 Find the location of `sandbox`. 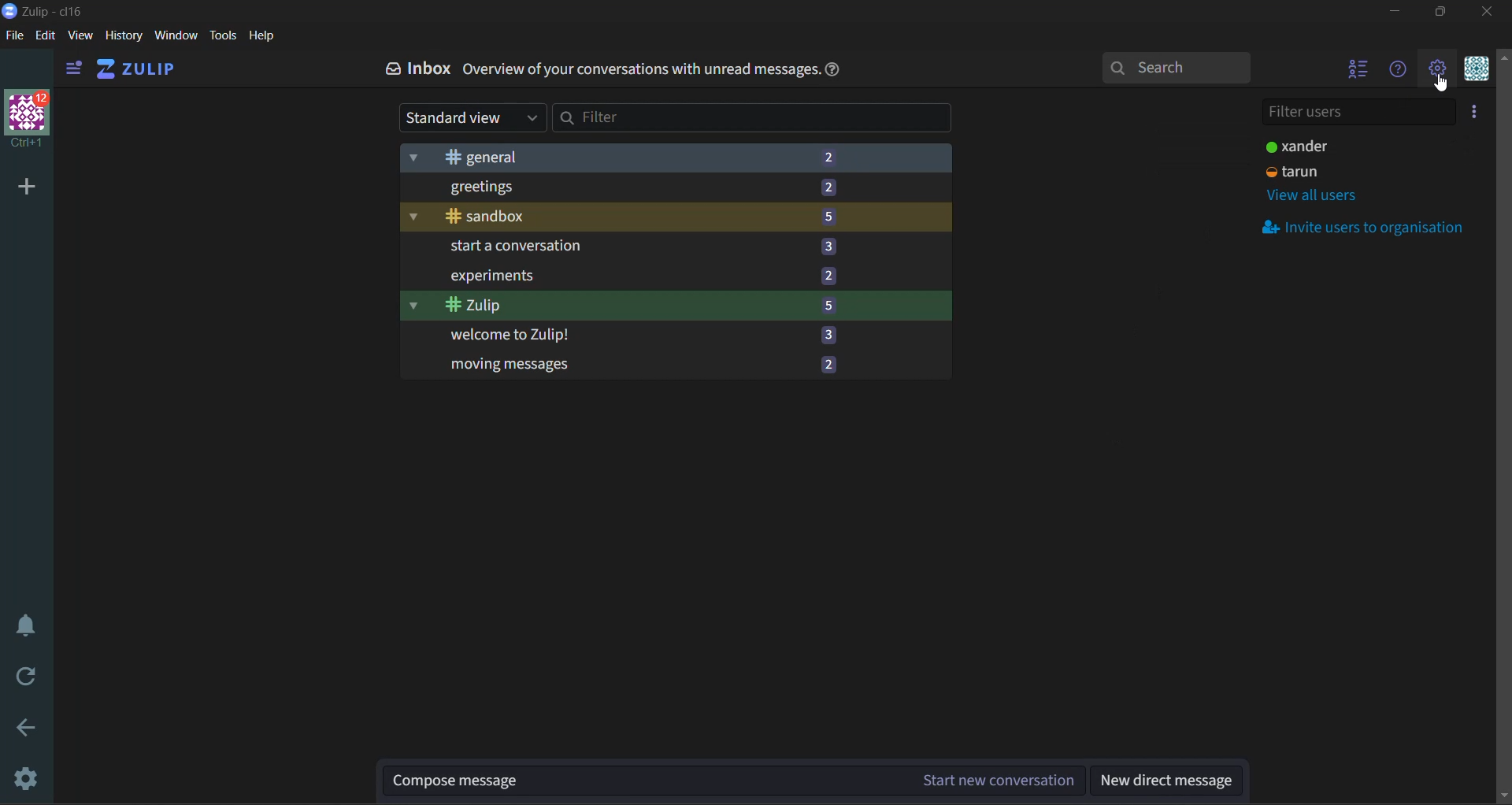

sandbox is located at coordinates (624, 217).